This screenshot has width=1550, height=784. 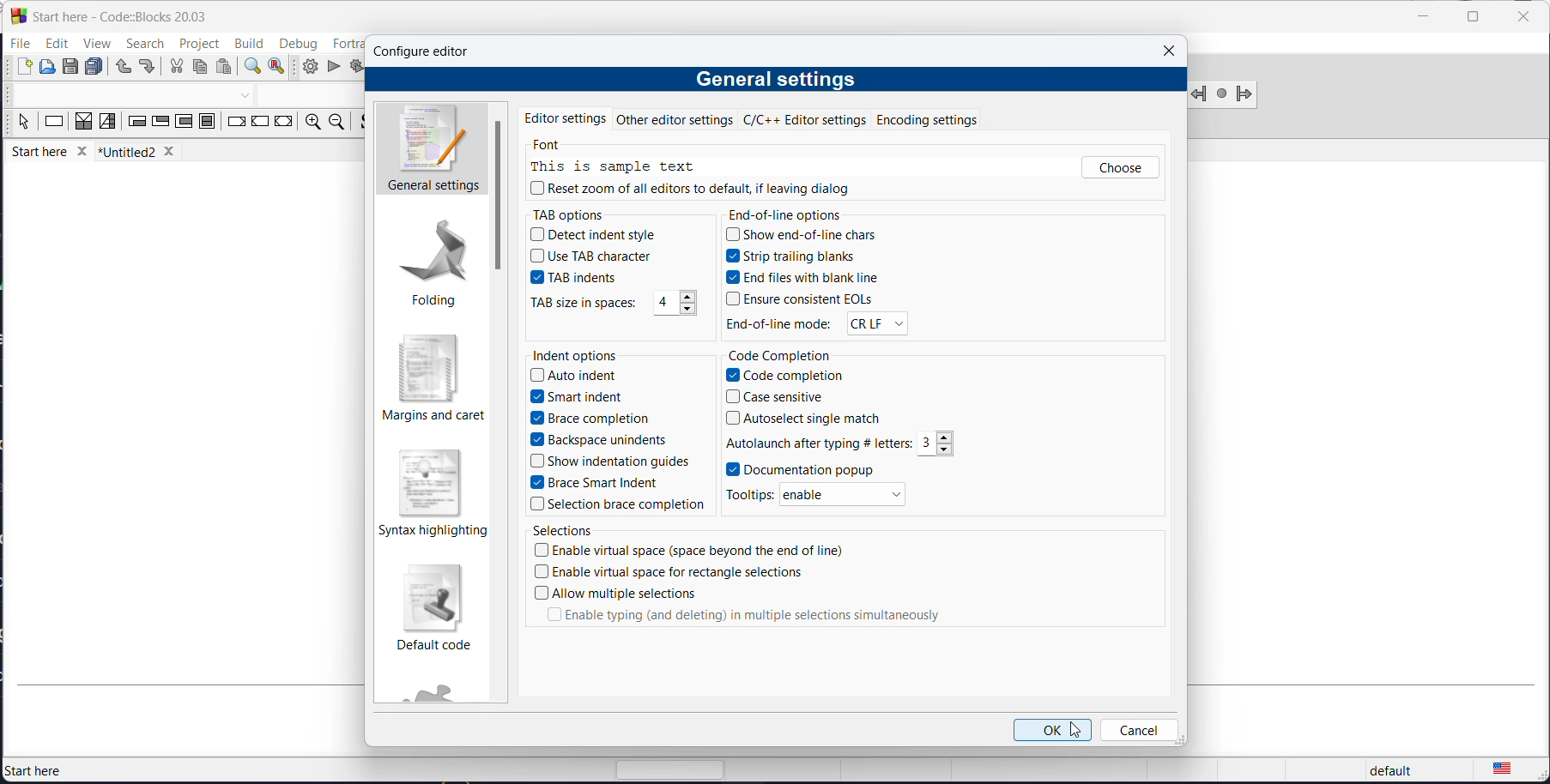 I want to click on end files with blank line, so click(x=807, y=278).